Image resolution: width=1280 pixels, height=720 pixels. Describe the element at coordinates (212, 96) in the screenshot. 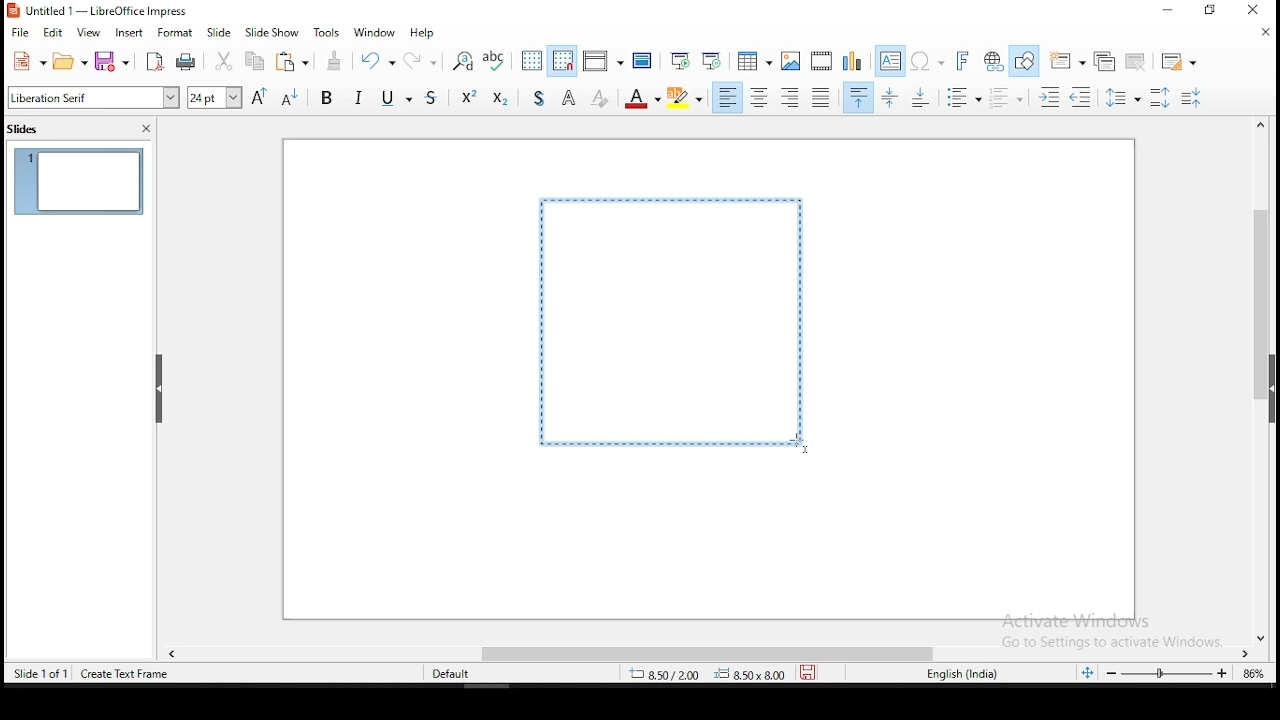

I see `font size` at that location.